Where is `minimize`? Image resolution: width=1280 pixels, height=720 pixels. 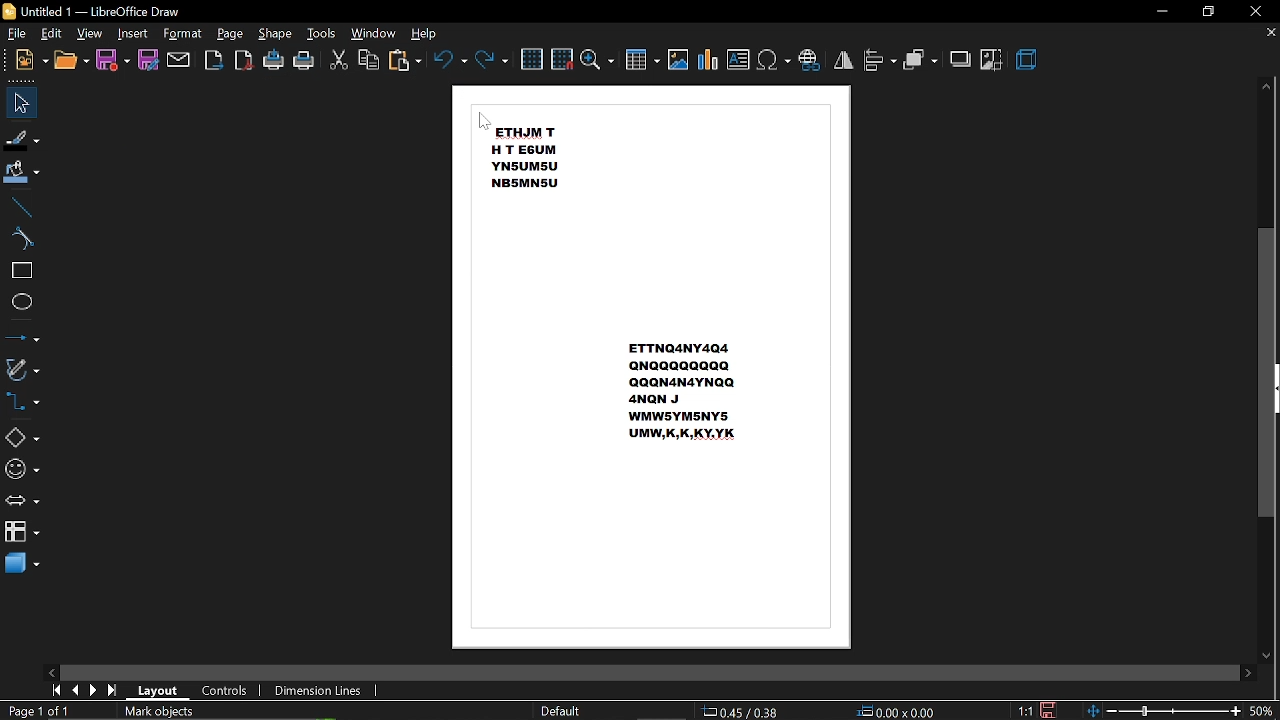 minimize is located at coordinates (1161, 10).